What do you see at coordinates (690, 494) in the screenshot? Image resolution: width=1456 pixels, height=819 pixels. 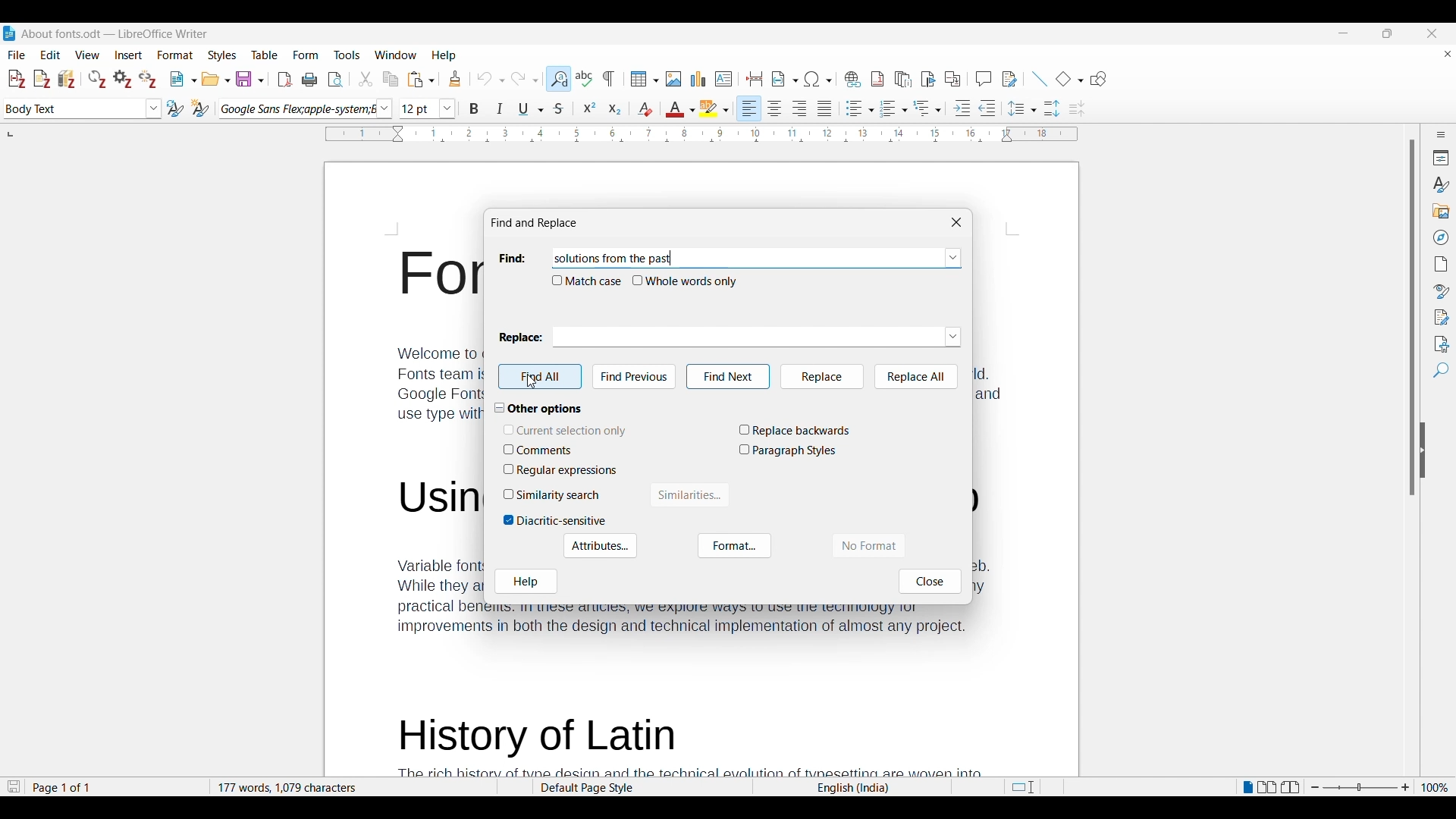 I see `Similarities` at bounding box center [690, 494].